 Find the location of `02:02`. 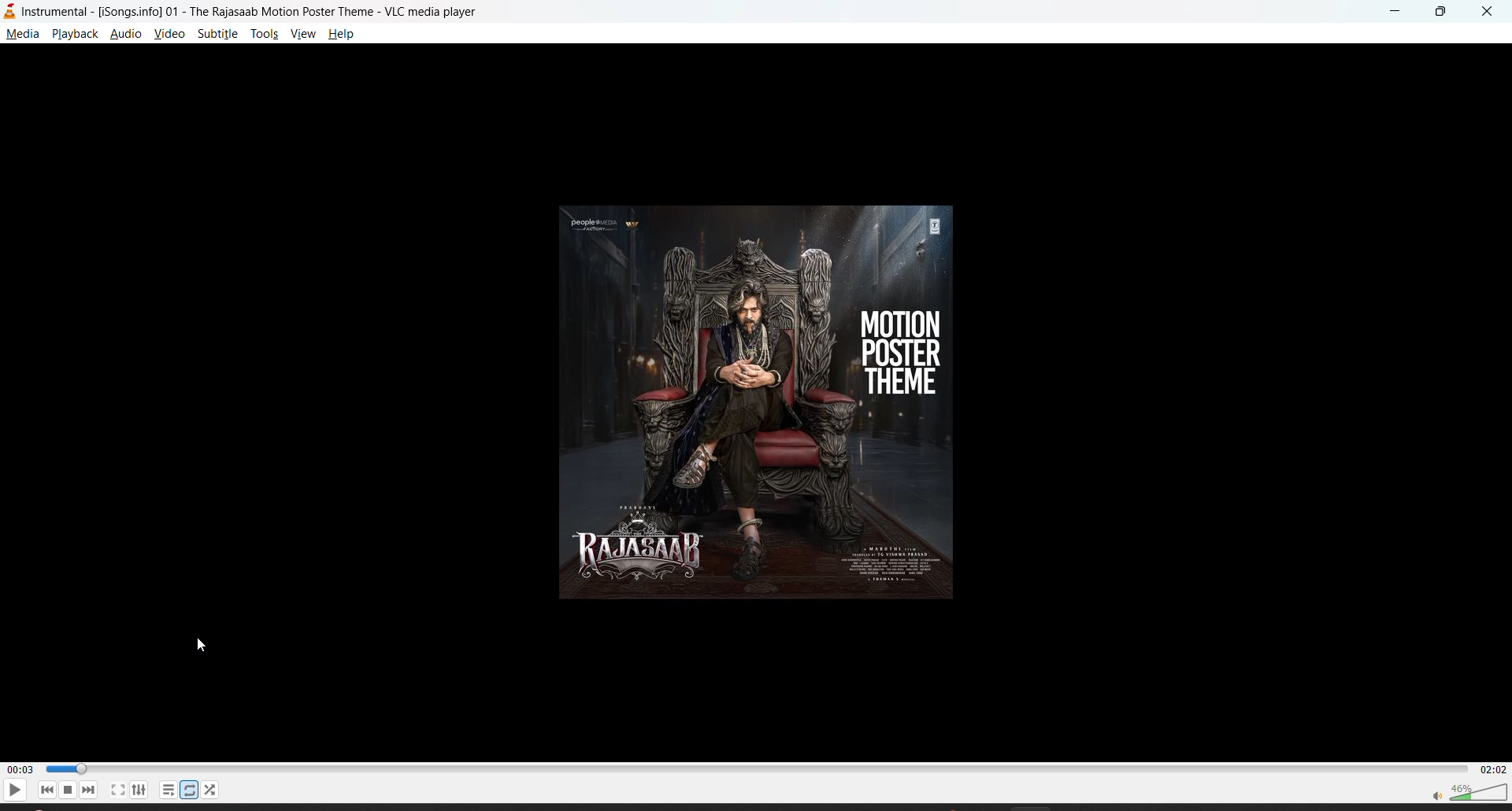

02:02 is located at coordinates (1495, 769).